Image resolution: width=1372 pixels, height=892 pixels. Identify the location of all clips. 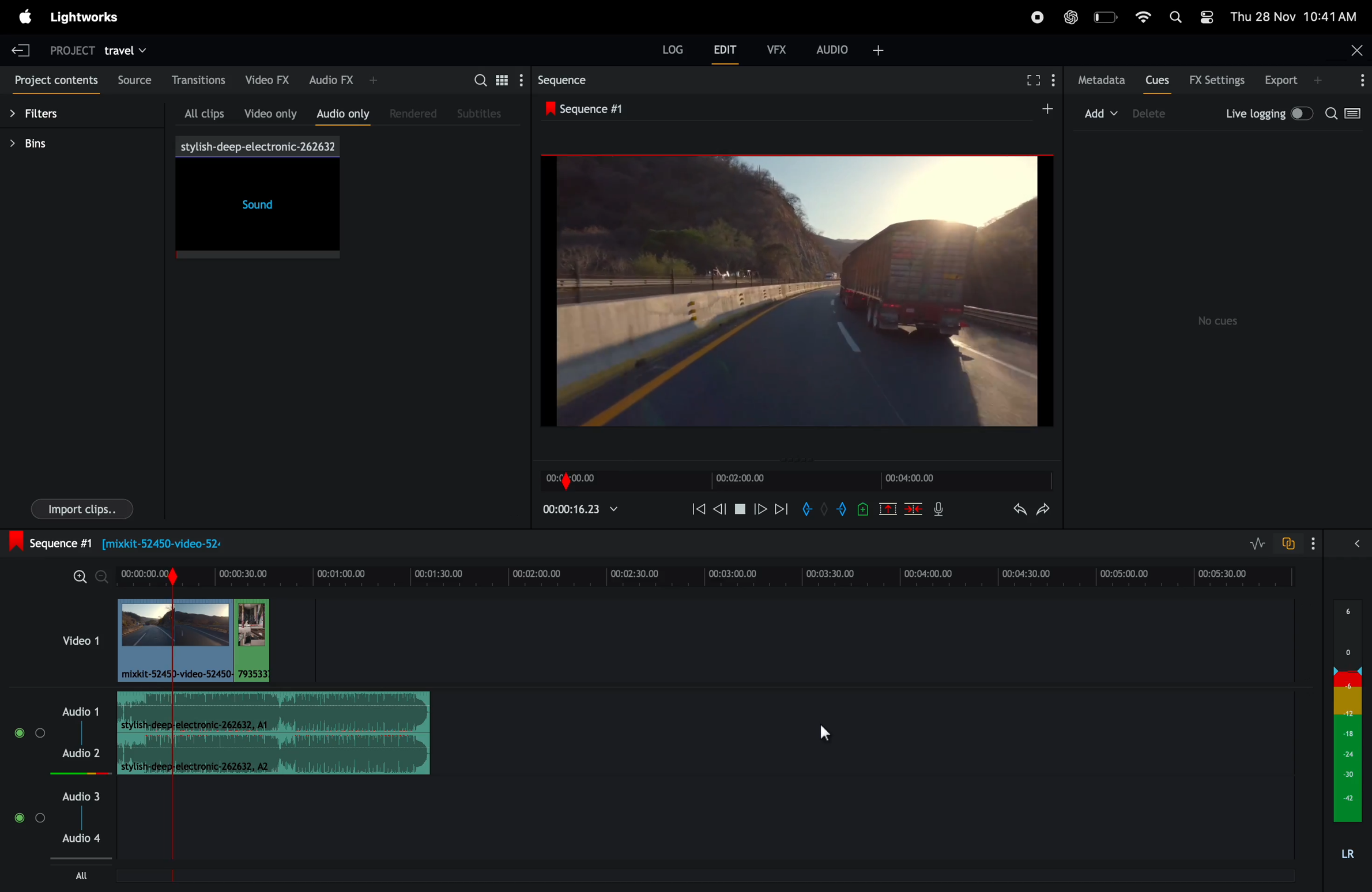
(196, 111).